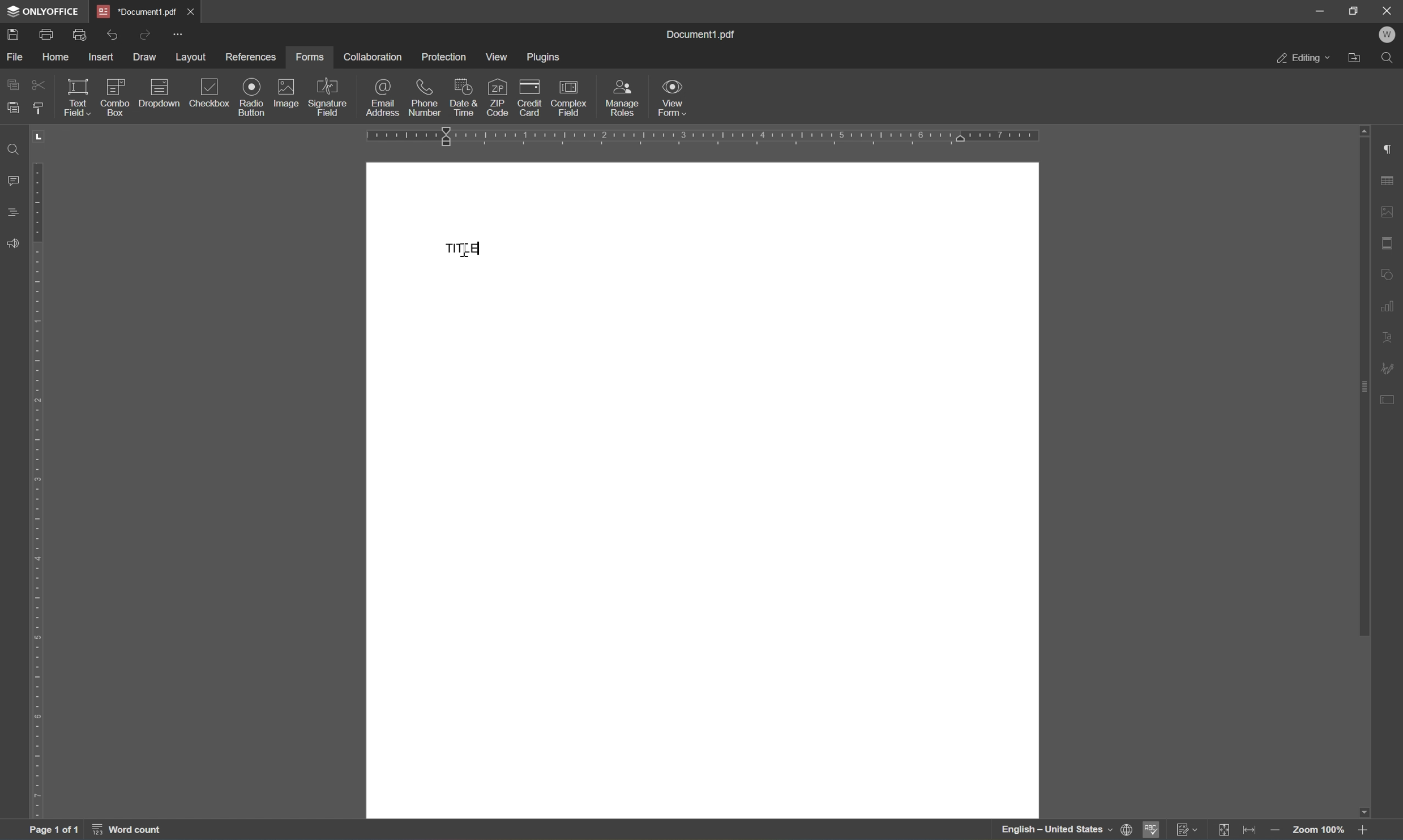 The image size is (1403, 840). What do you see at coordinates (463, 251) in the screenshot?
I see `CURSOR` at bounding box center [463, 251].